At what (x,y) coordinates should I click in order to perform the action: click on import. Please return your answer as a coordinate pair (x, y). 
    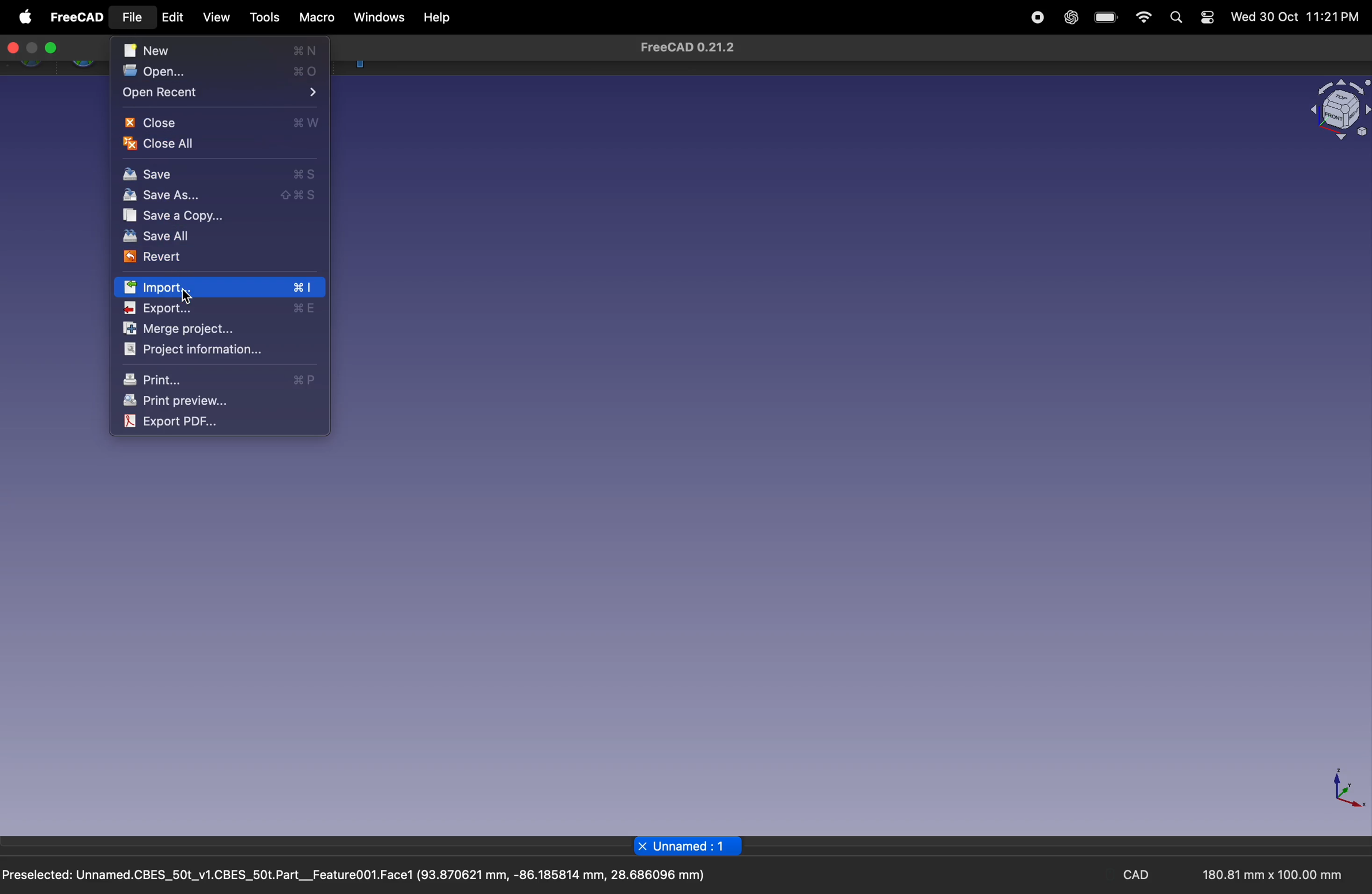
    Looking at the image, I should click on (220, 288).